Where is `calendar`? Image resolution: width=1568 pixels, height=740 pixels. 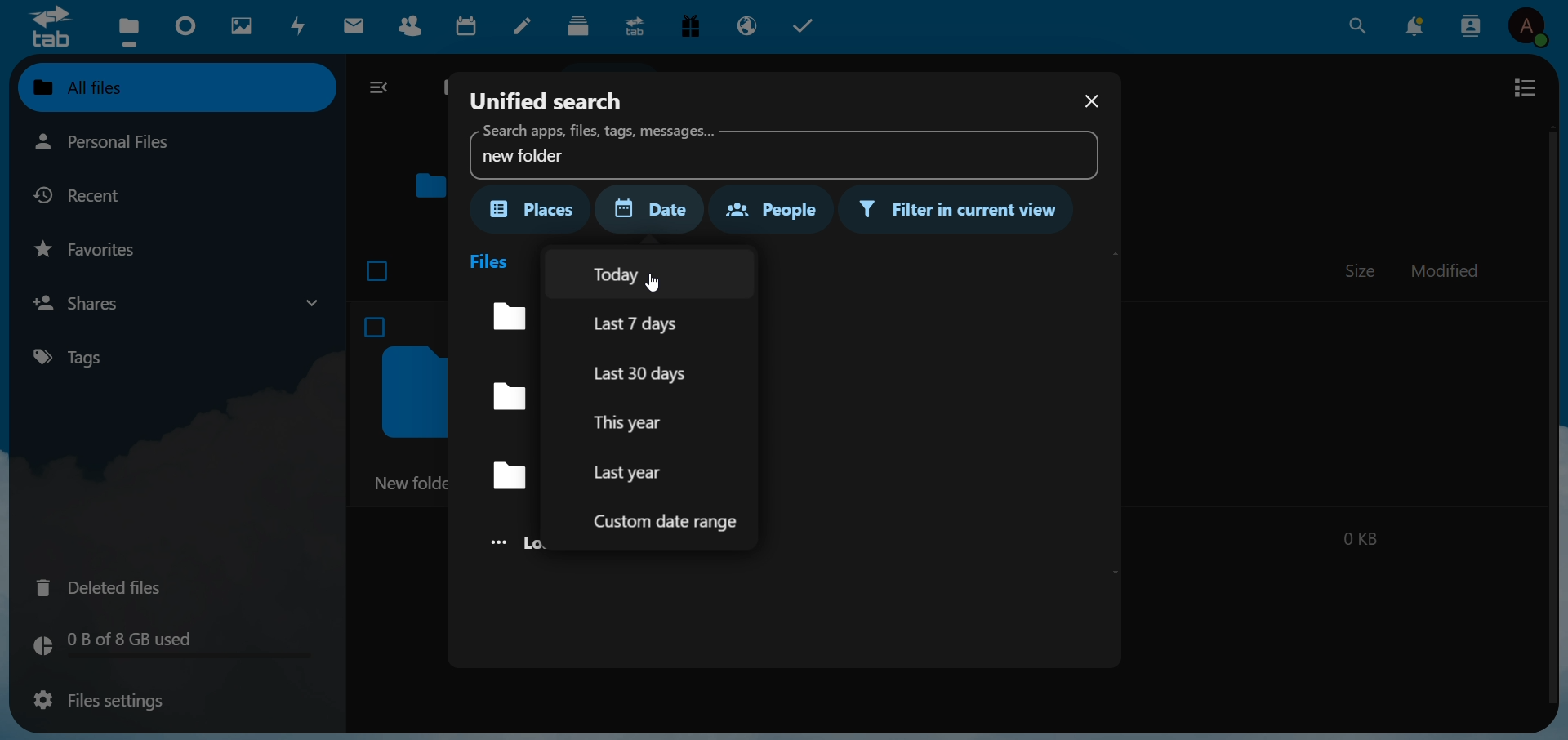 calendar is located at coordinates (470, 29).